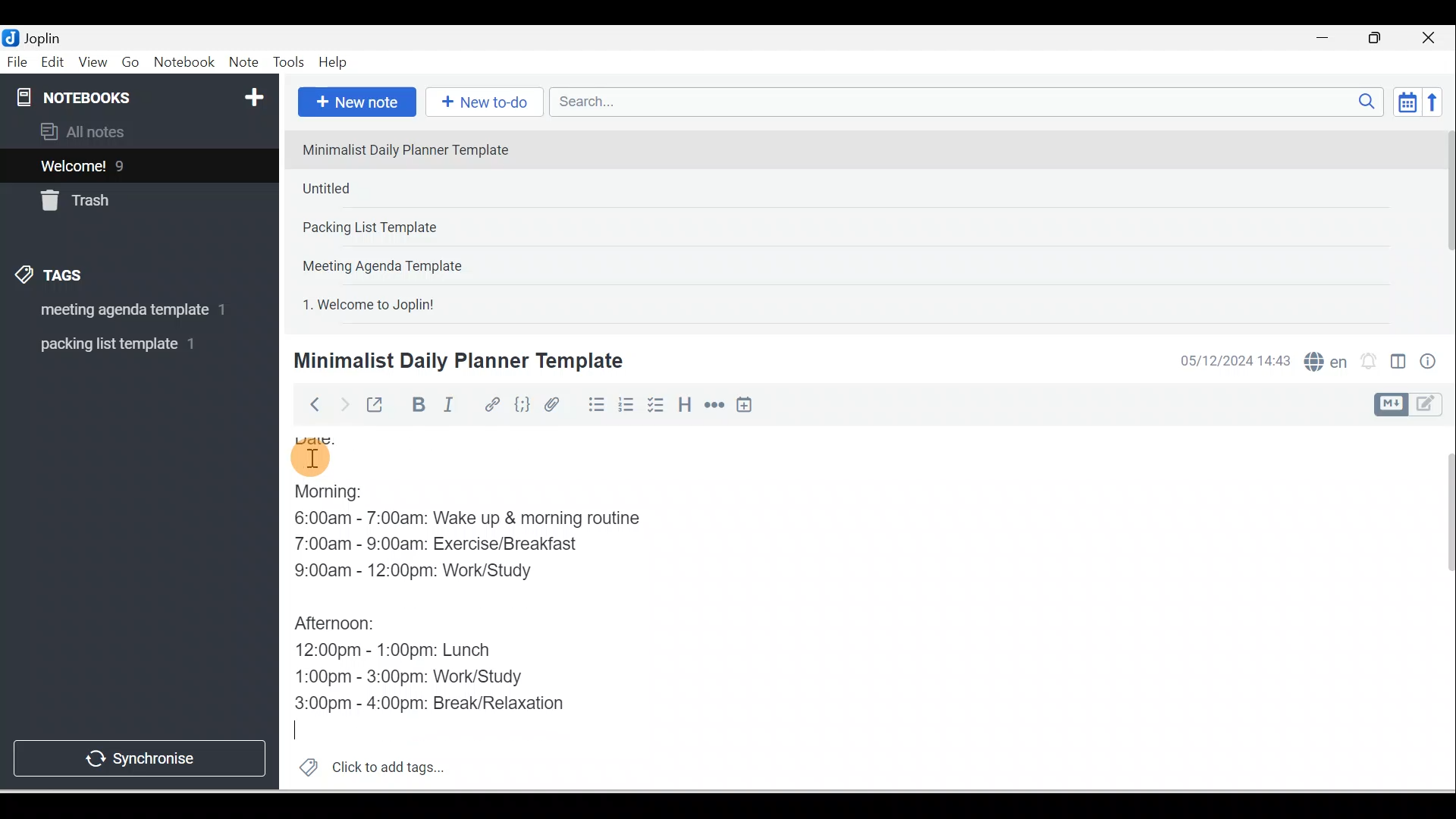 This screenshot has width=1456, height=819. Describe the element at coordinates (137, 131) in the screenshot. I see `All notes` at that location.